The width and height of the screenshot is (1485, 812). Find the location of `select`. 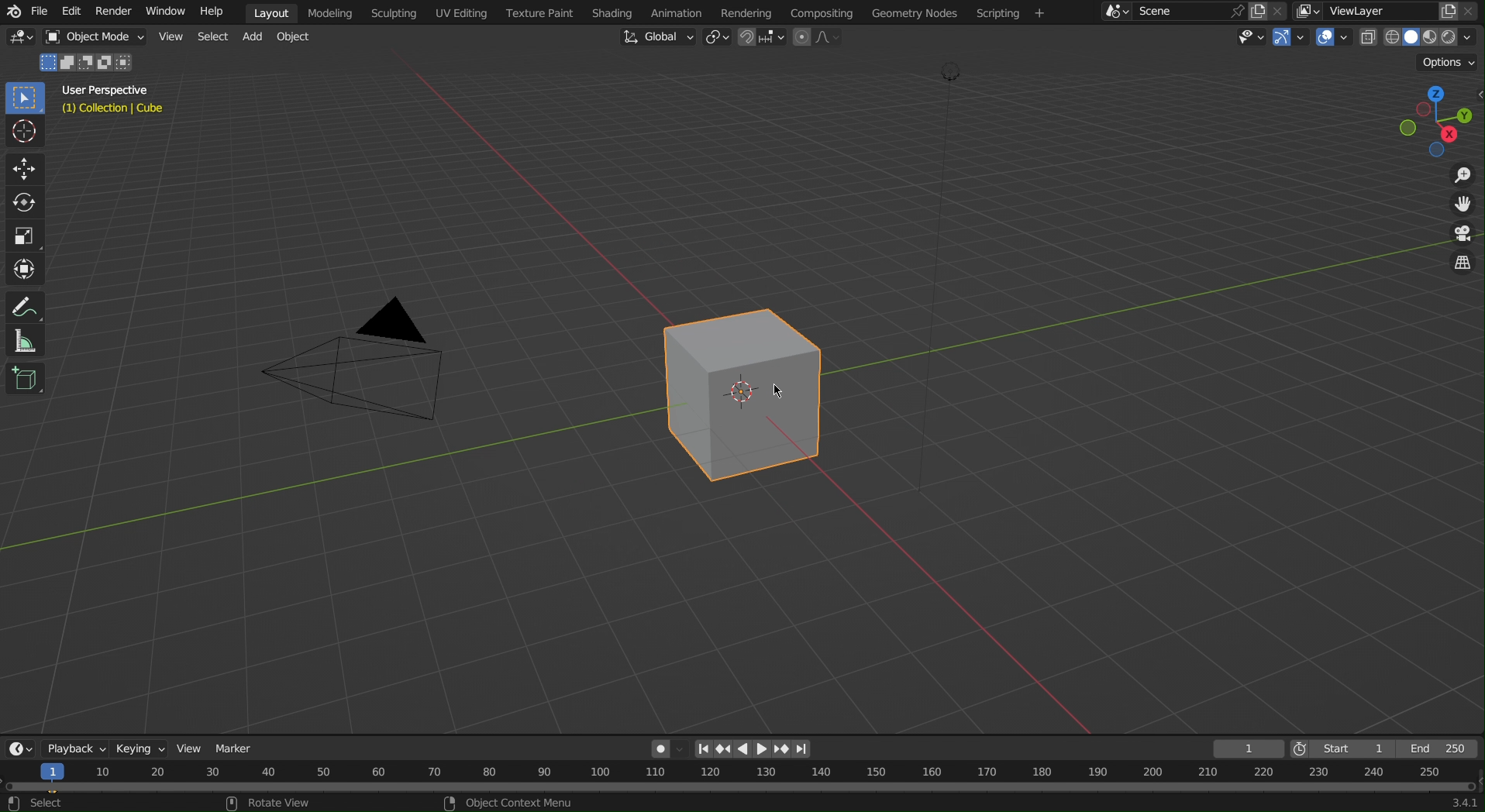

select is located at coordinates (45, 61).